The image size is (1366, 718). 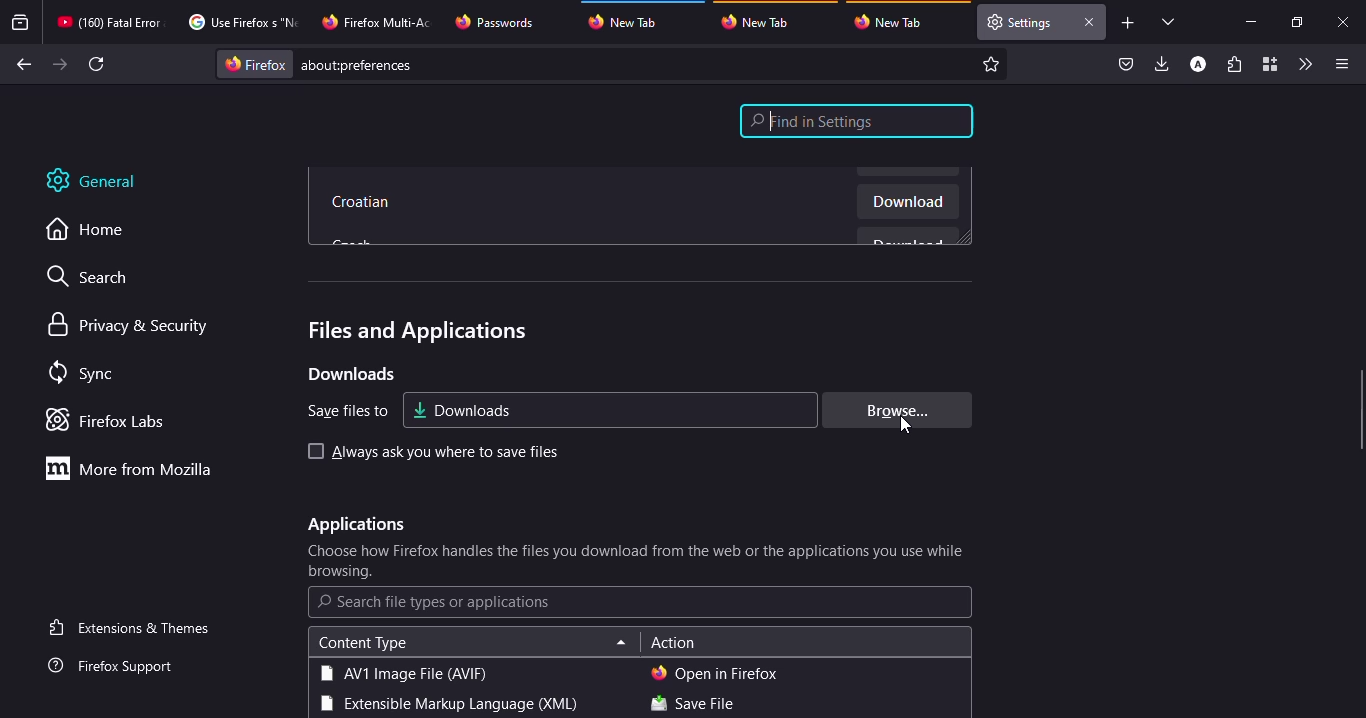 I want to click on downloads, so click(x=350, y=374).